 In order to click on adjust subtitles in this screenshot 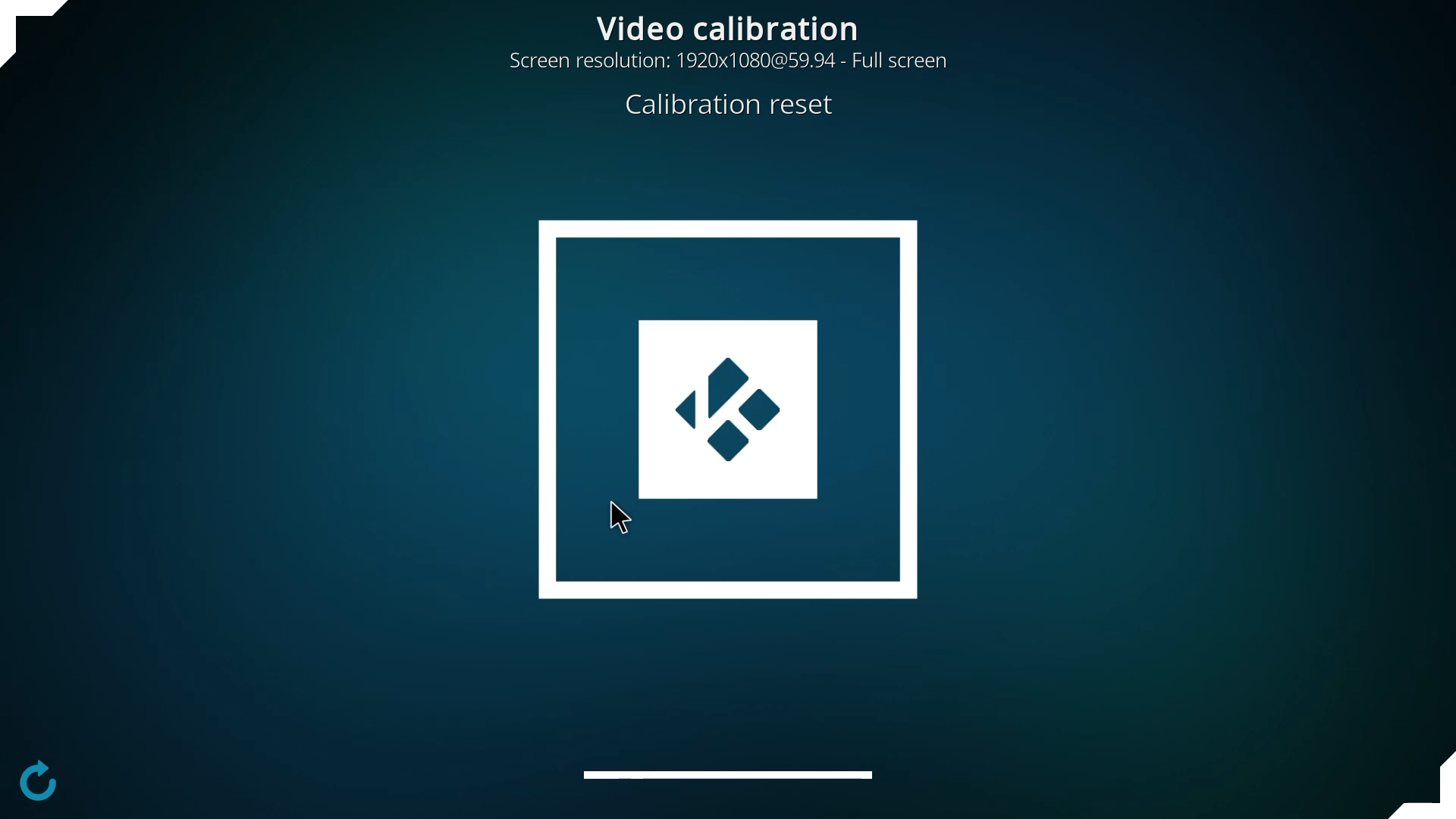, I will do `click(739, 781)`.